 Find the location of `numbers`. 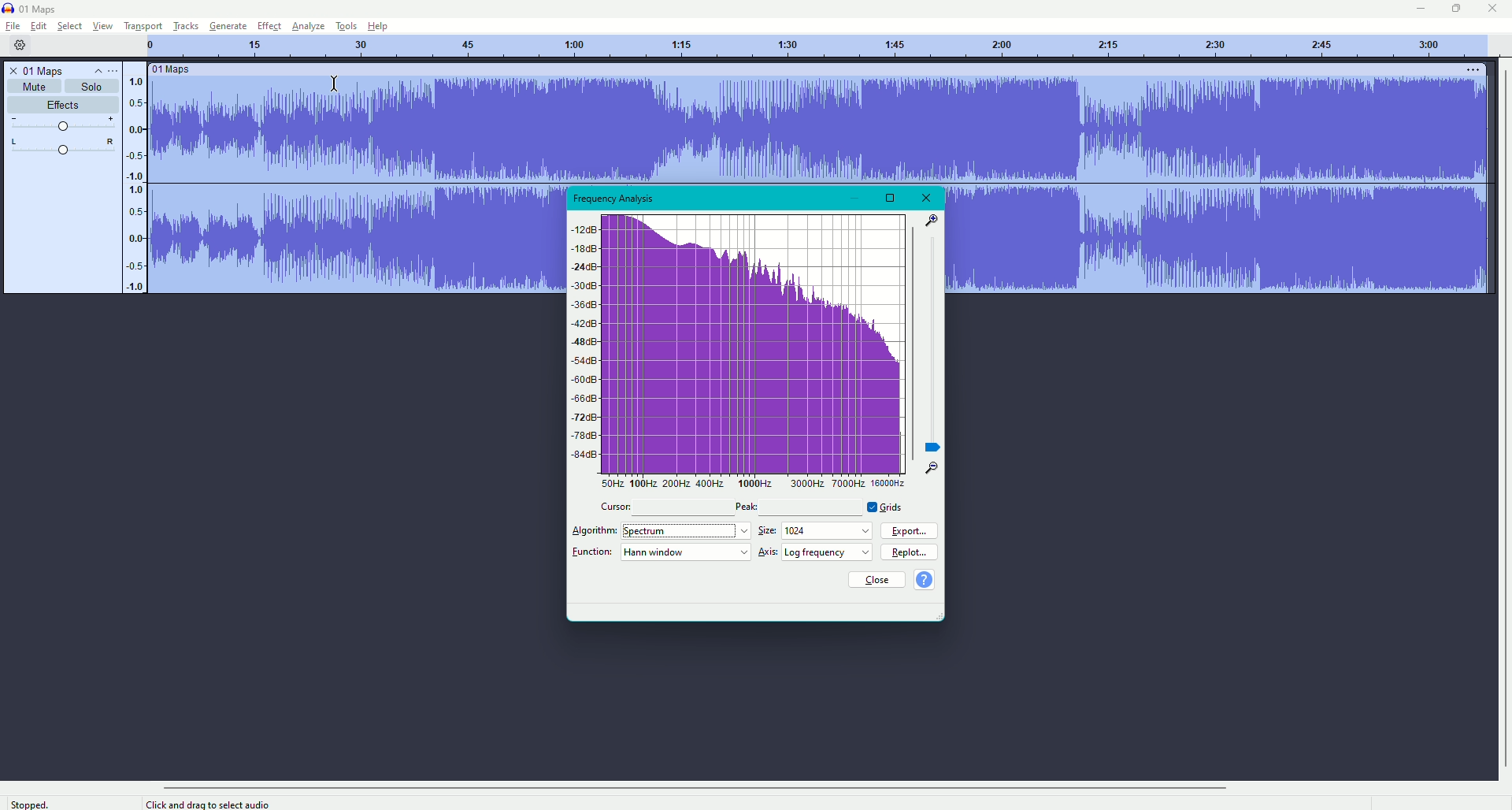

numbers is located at coordinates (138, 181).